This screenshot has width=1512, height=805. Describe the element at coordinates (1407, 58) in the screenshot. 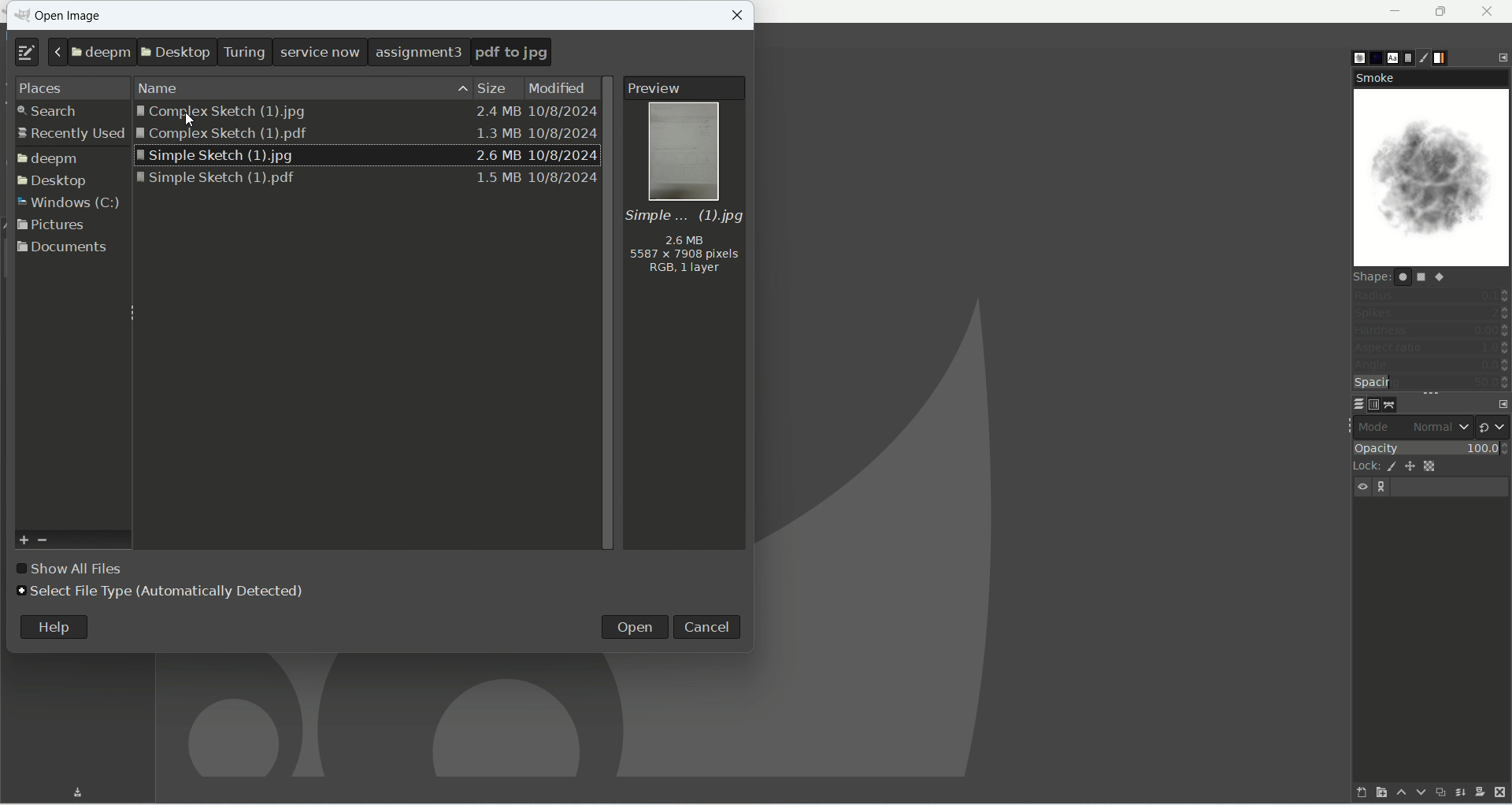

I see `document history` at that location.